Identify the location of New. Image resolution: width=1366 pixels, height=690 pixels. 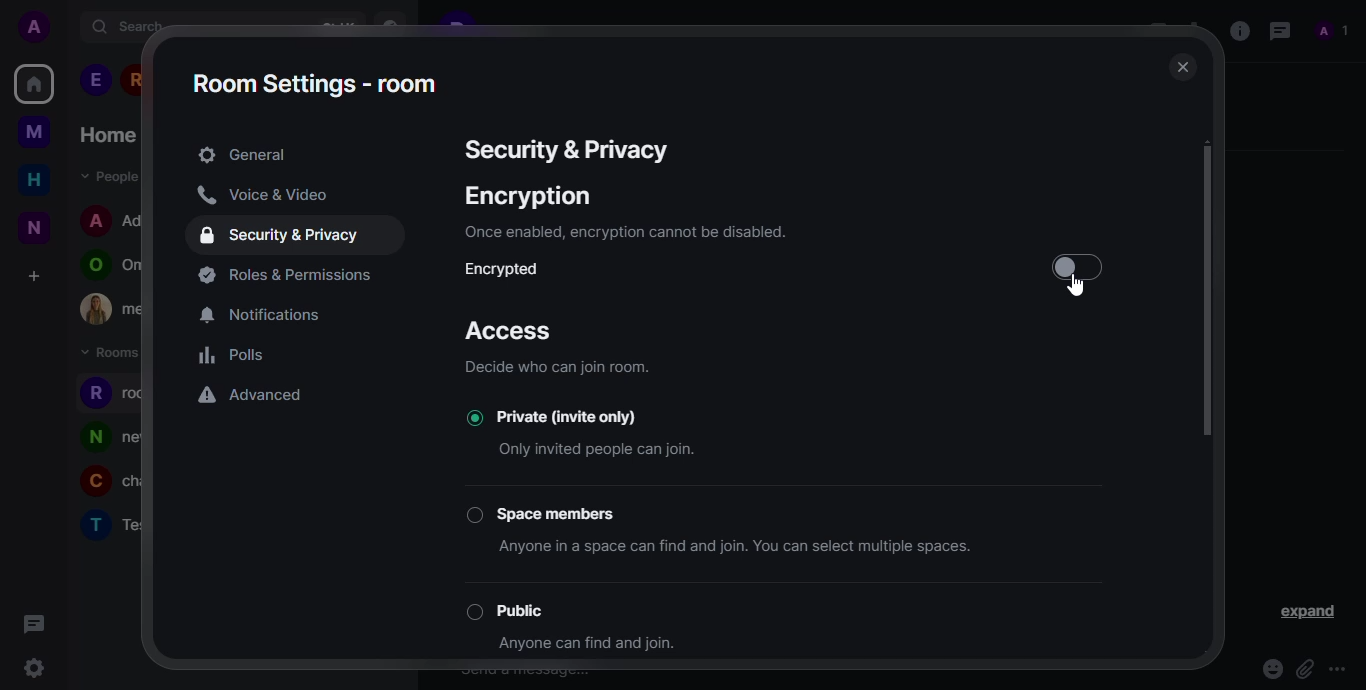
(33, 230).